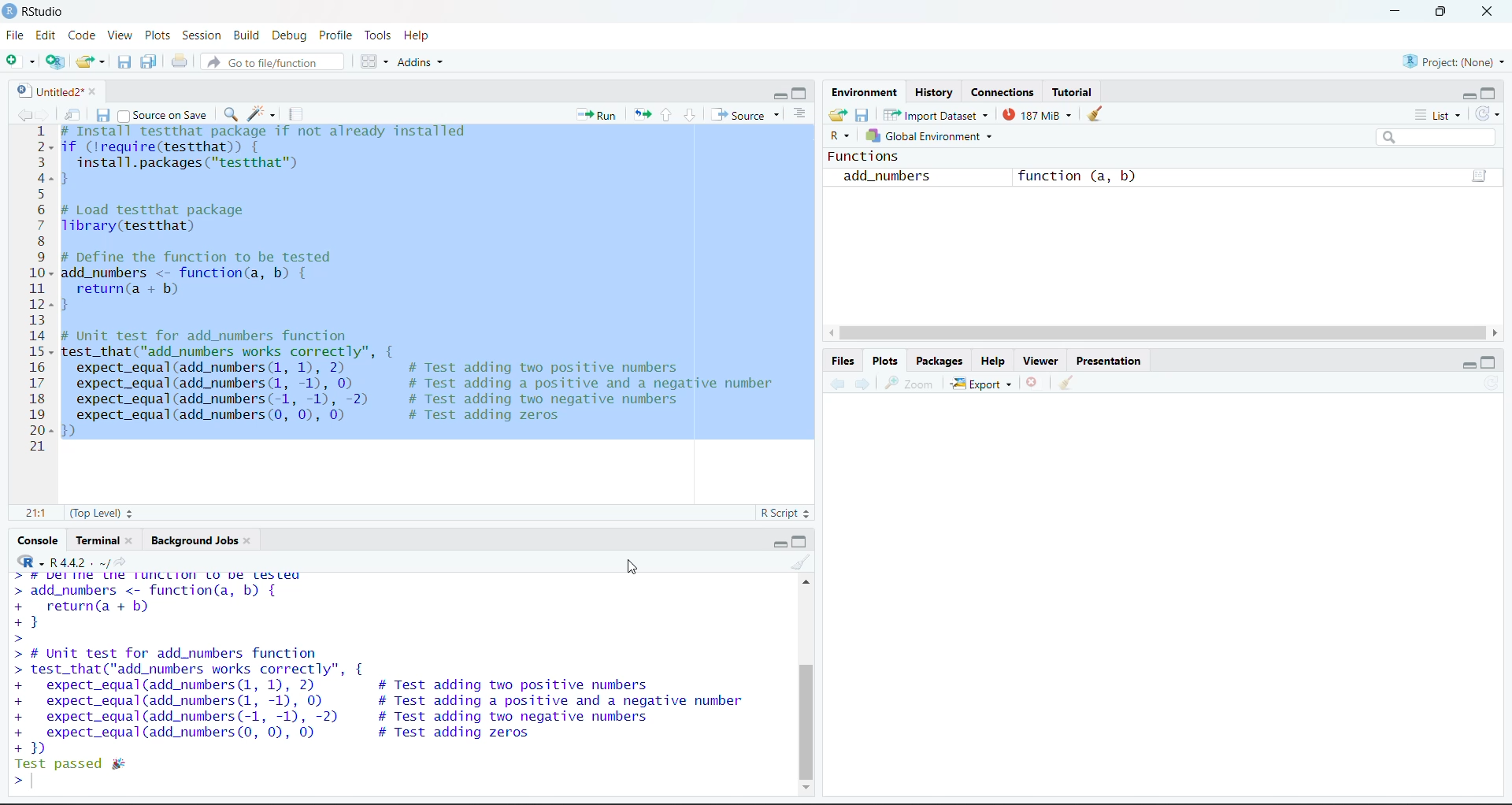 The width and height of the screenshot is (1512, 805). What do you see at coordinates (802, 93) in the screenshot?
I see `maximize` at bounding box center [802, 93].